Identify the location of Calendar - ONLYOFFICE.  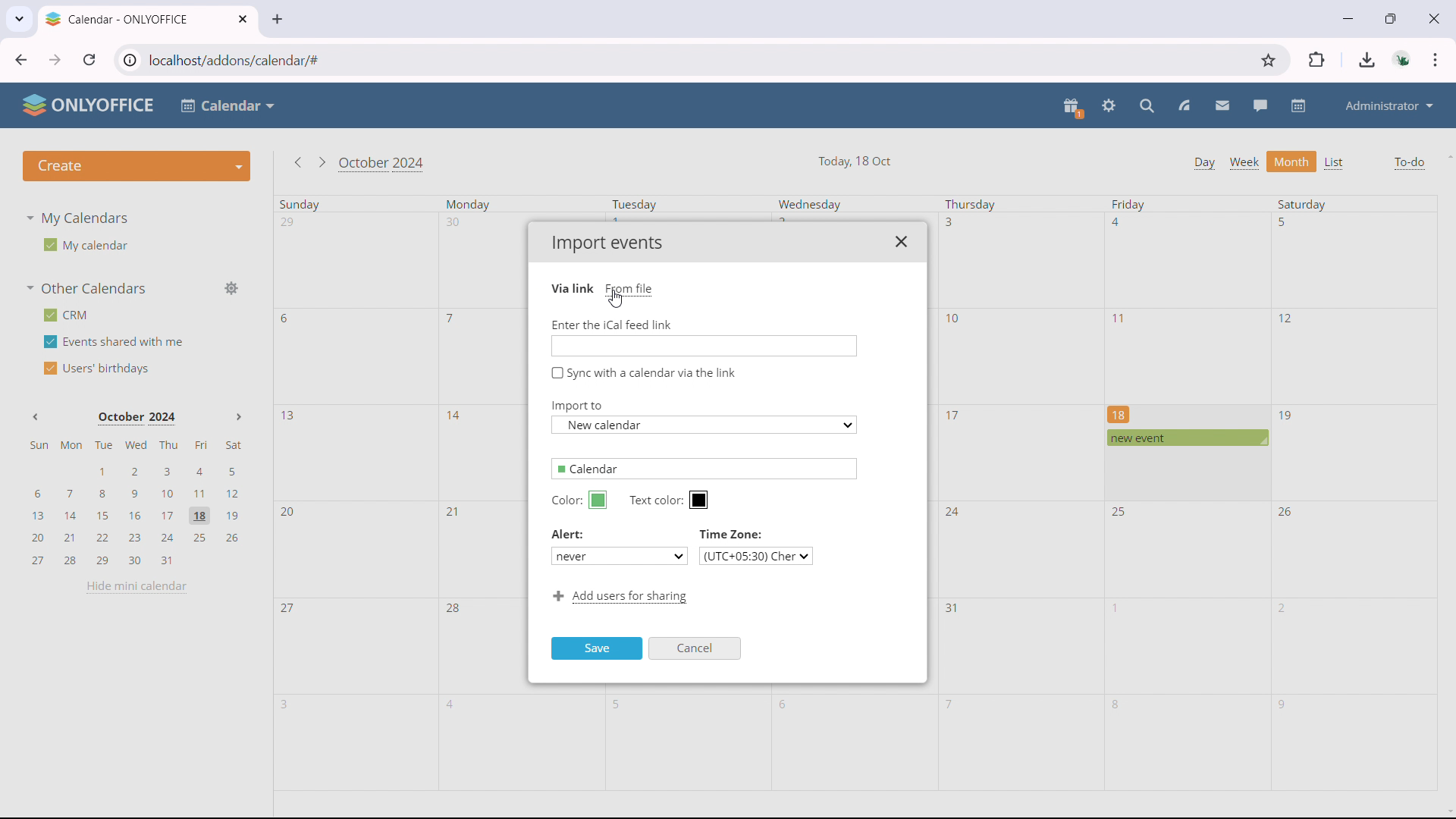
(118, 19).